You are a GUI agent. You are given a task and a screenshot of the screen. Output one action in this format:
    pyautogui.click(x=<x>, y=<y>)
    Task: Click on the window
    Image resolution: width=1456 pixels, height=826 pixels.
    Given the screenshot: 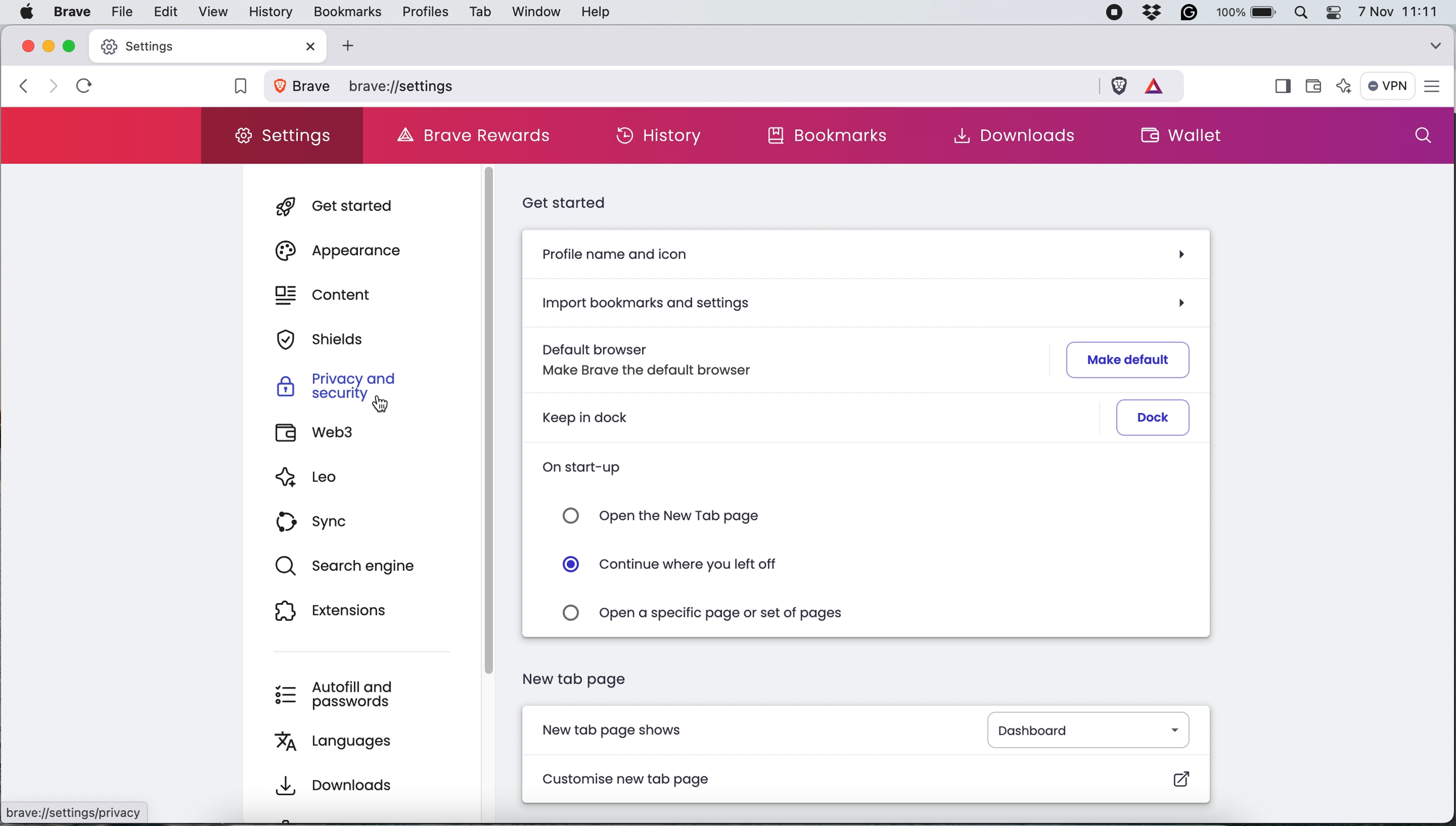 What is the action you would take?
    pyautogui.click(x=533, y=11)
    